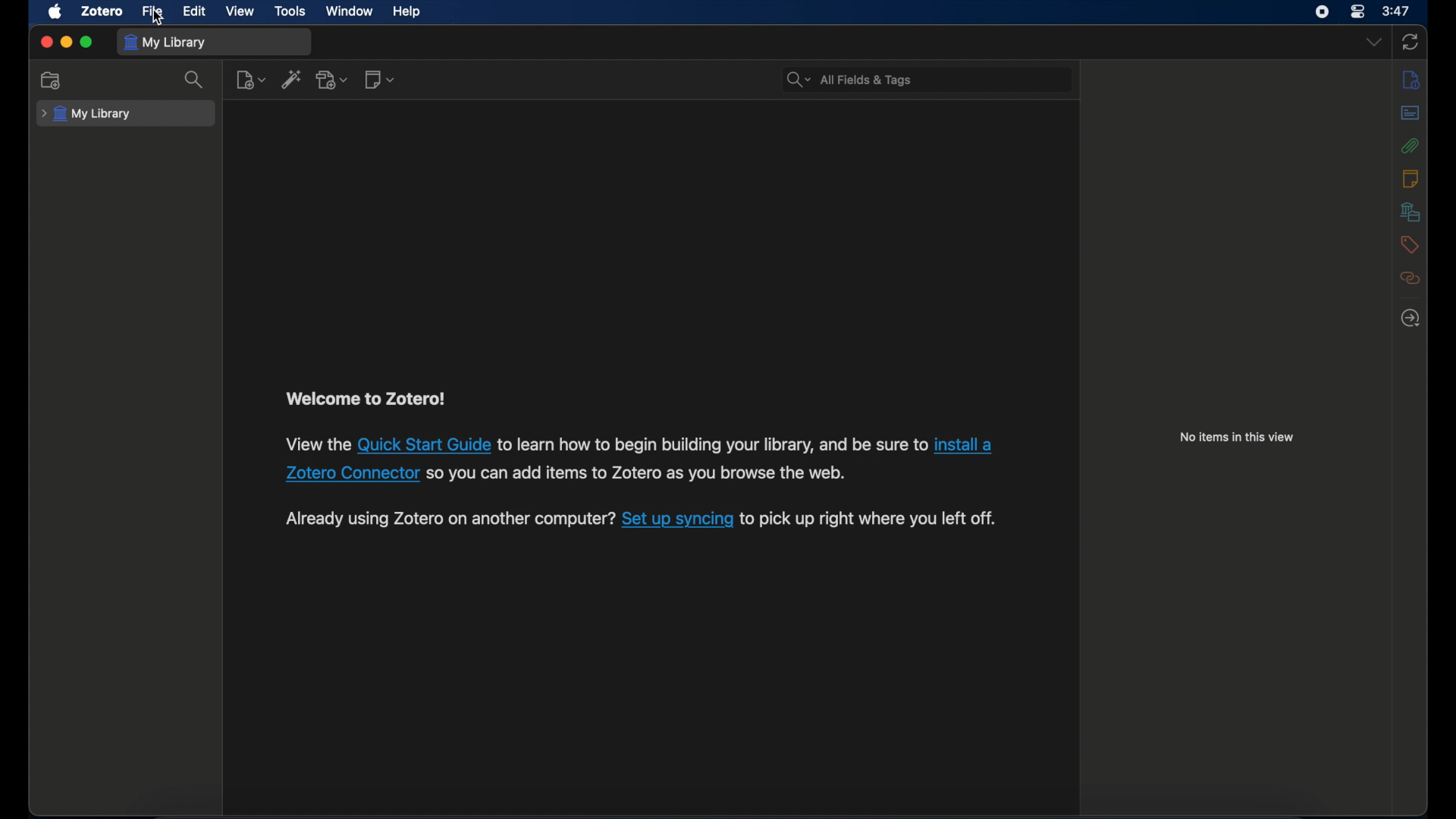  I want to click on tools, so click(291, 11).